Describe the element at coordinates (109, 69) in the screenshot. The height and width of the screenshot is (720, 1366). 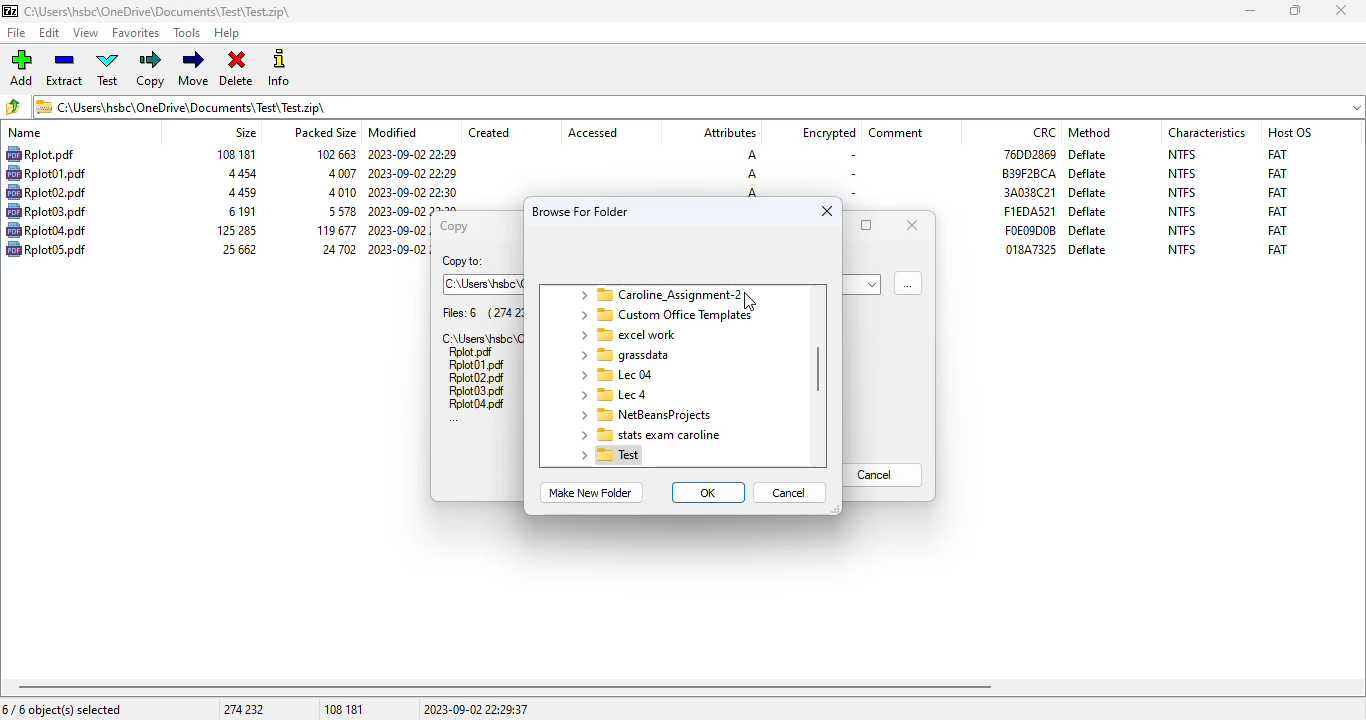
I see `test` at that location.